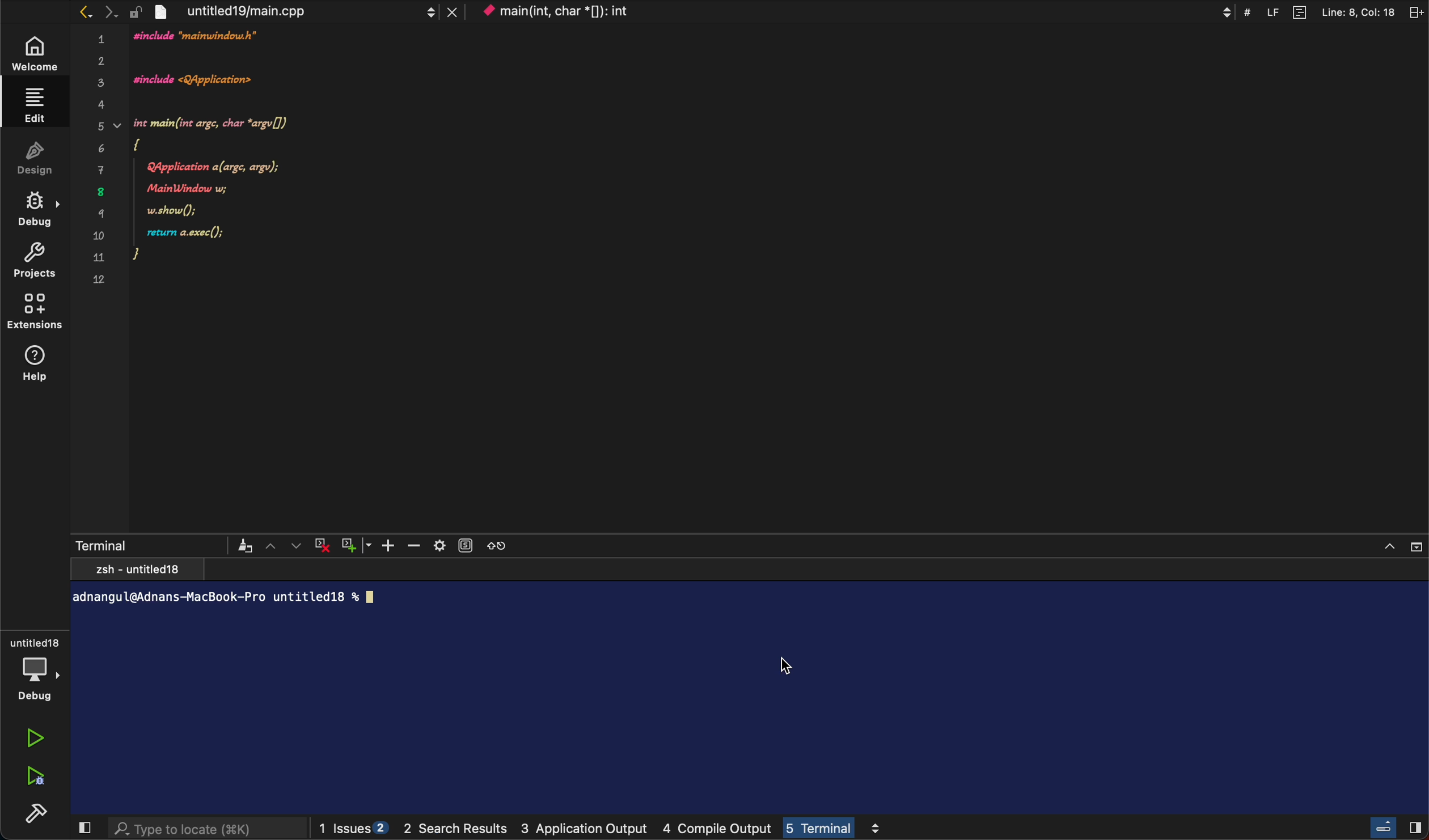 The width and height of the screenshot is (1429, 840). What do you see at coordinates (32, 258) in the screenshot?
I see `projects` at bounding box center [32, 258].